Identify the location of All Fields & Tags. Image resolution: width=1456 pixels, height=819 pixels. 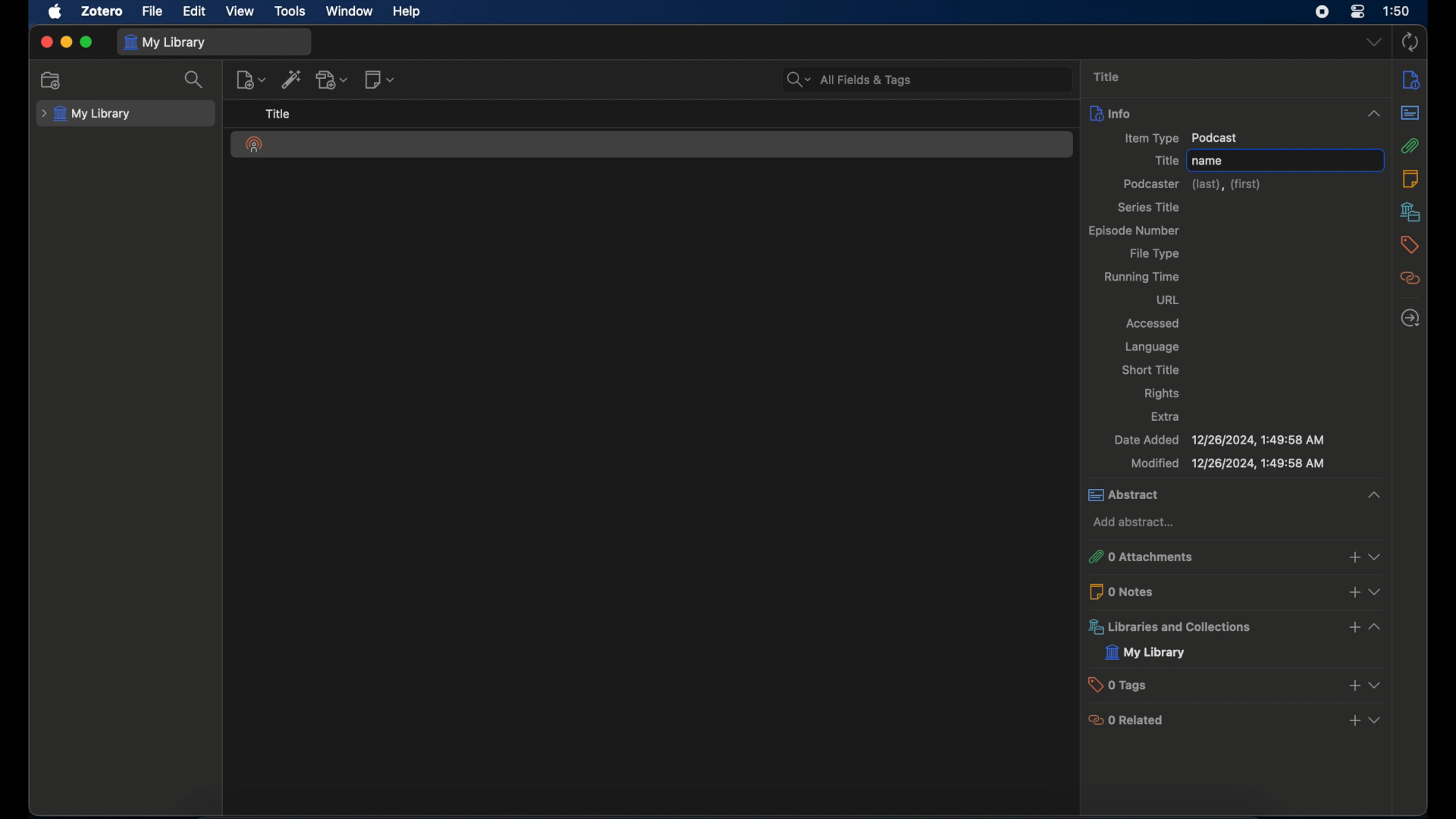
(927, 78).